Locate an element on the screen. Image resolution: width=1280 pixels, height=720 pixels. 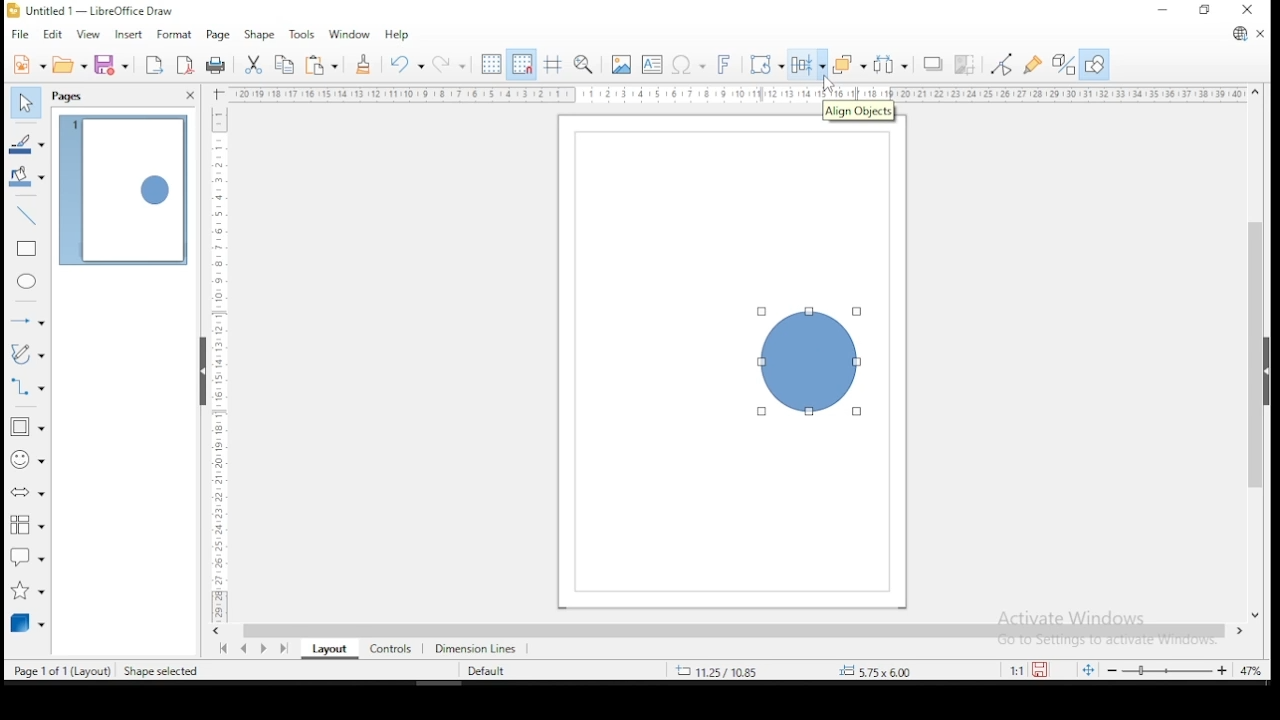
select at leat three items to distribute is located at coordinates (892, 64).